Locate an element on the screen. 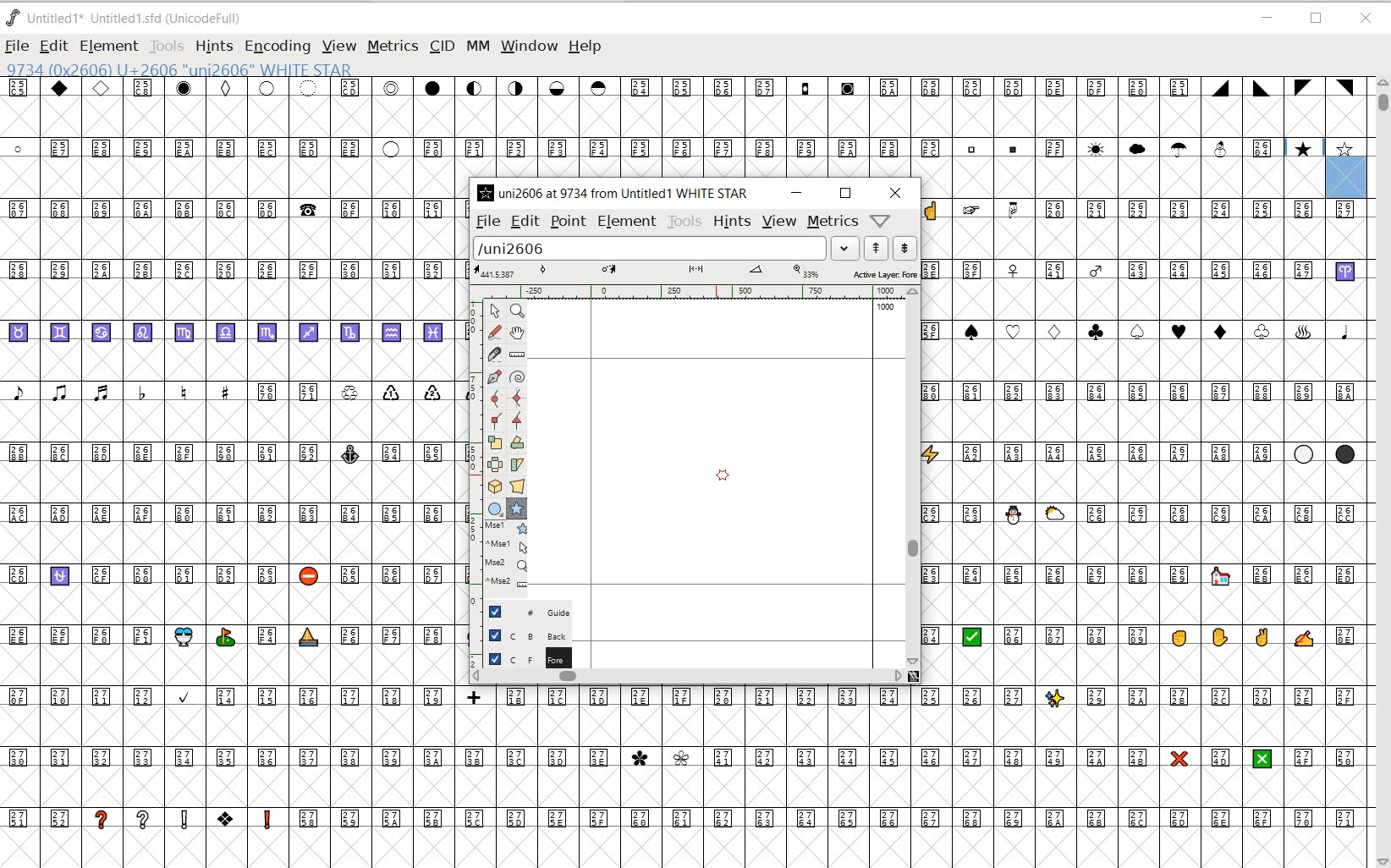 This screenshot has width=1391, height=868. ROTATE THE SELECTION IN 3D is located at coordinates (498, 486).